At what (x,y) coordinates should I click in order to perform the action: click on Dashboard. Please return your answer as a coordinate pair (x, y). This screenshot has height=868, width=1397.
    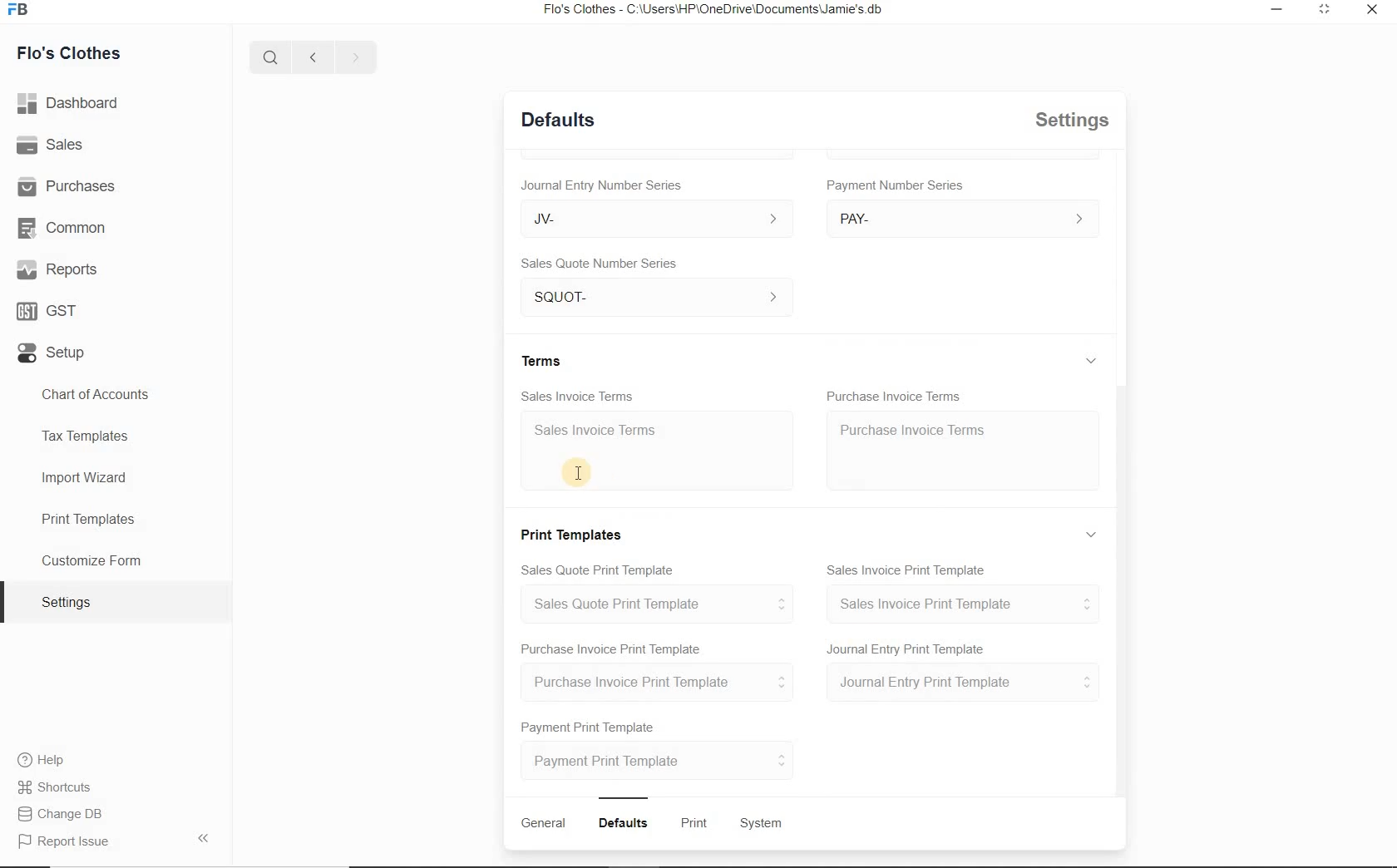
    Looking at the image, I should click on (69, 103).